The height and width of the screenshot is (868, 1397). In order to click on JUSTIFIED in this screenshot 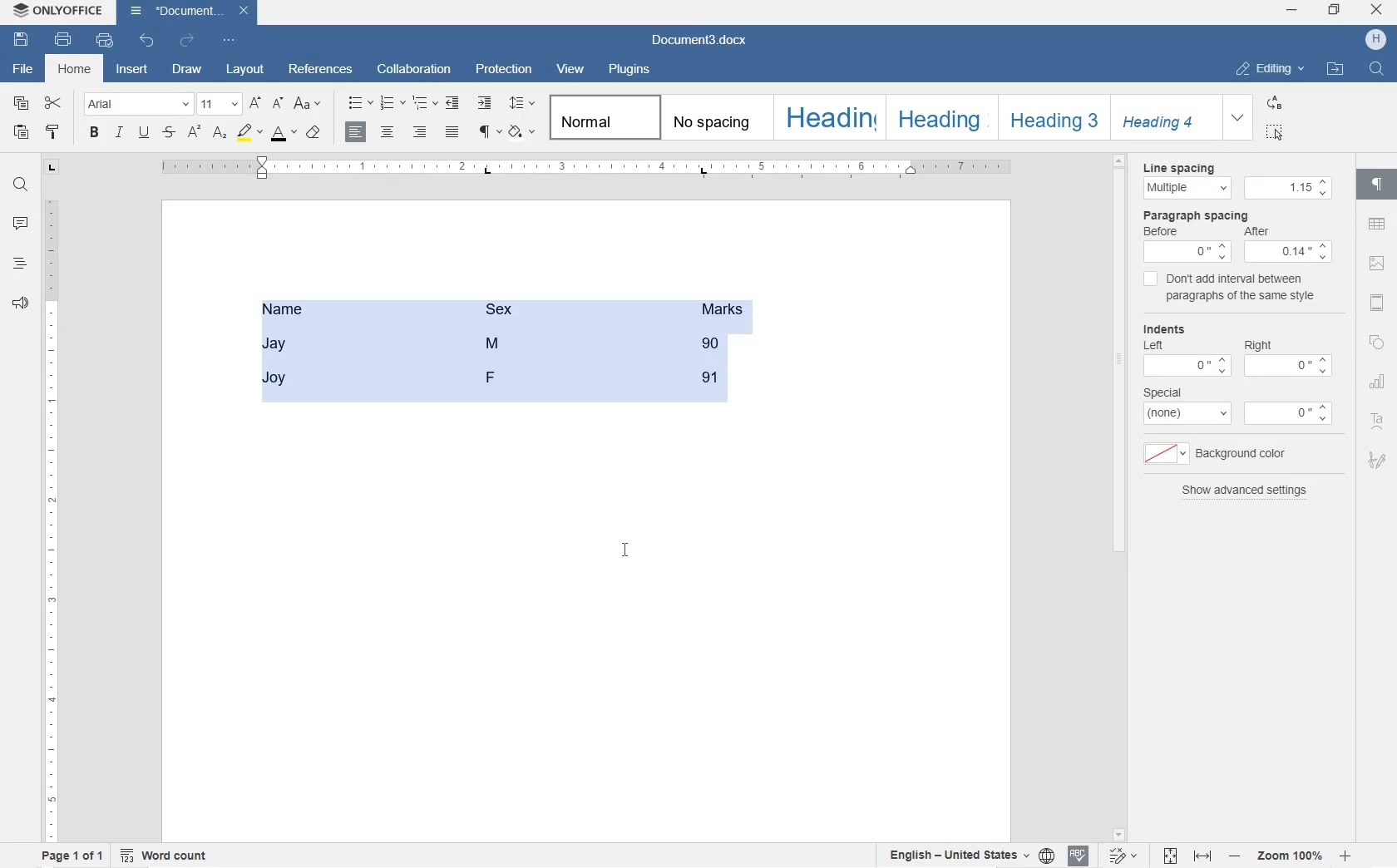, I will do `click(453, 132)`.